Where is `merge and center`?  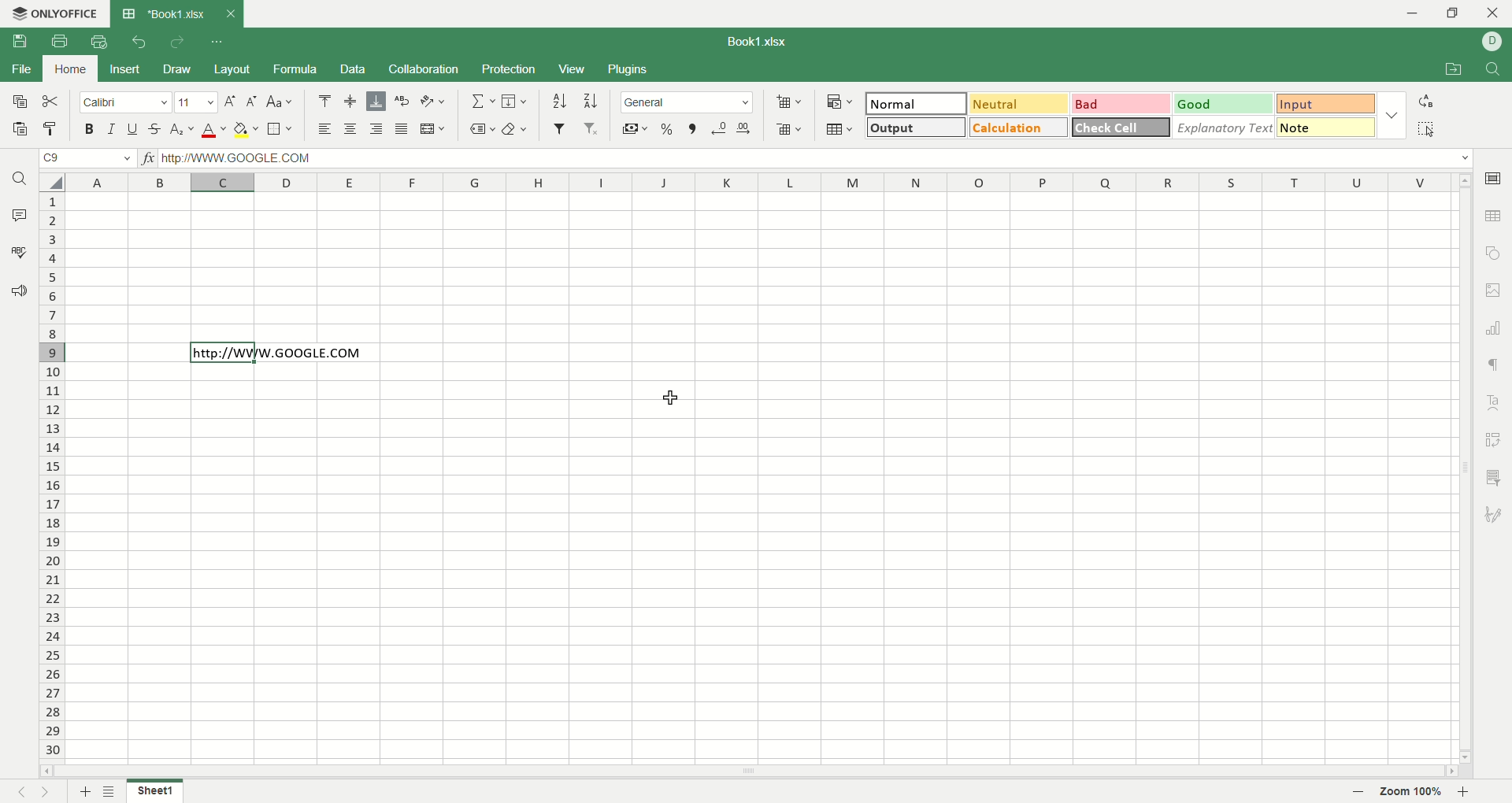 merge and center is located at coordinates (432, 130).